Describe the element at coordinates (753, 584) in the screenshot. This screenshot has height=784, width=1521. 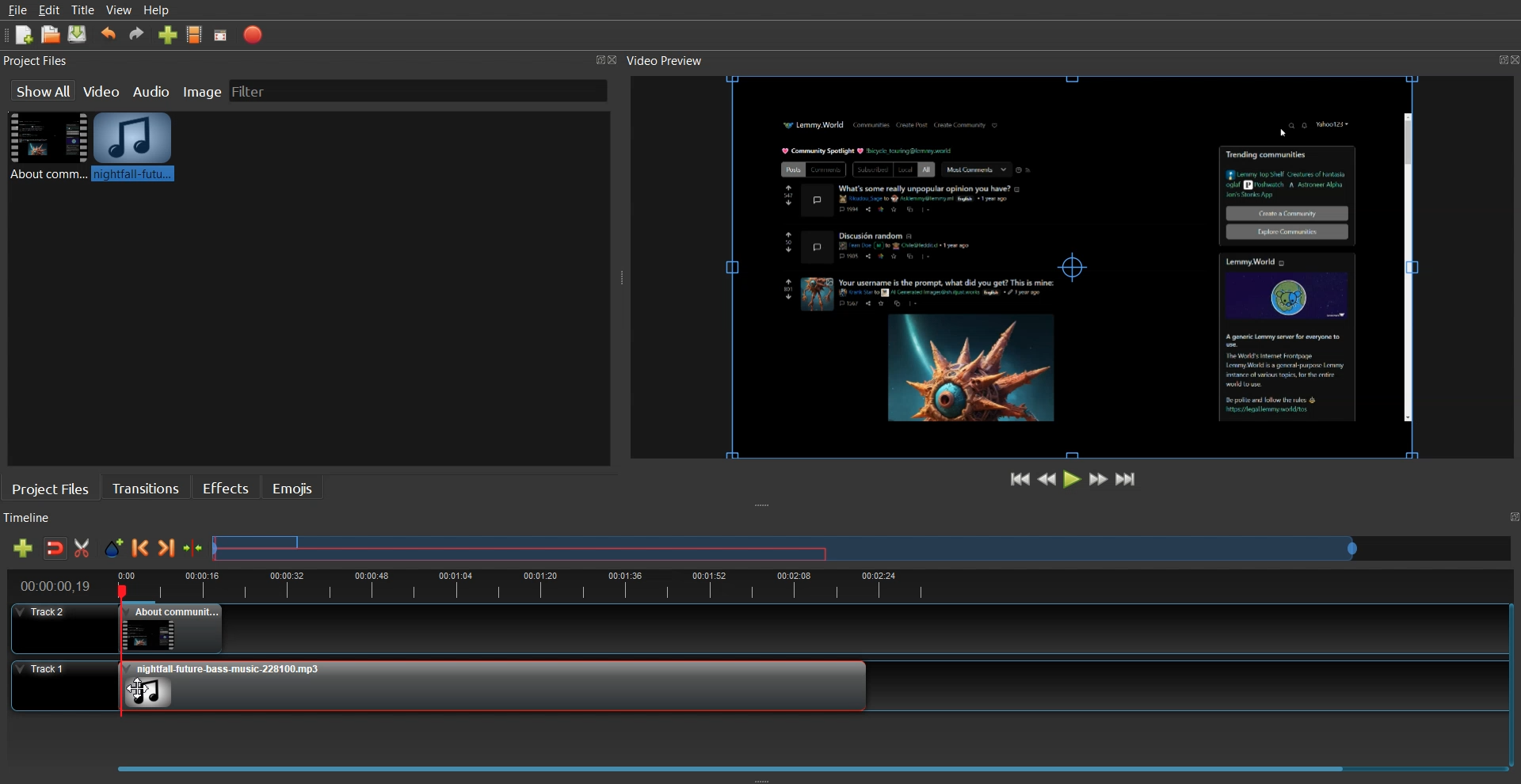
I see `timeline view` at that location.